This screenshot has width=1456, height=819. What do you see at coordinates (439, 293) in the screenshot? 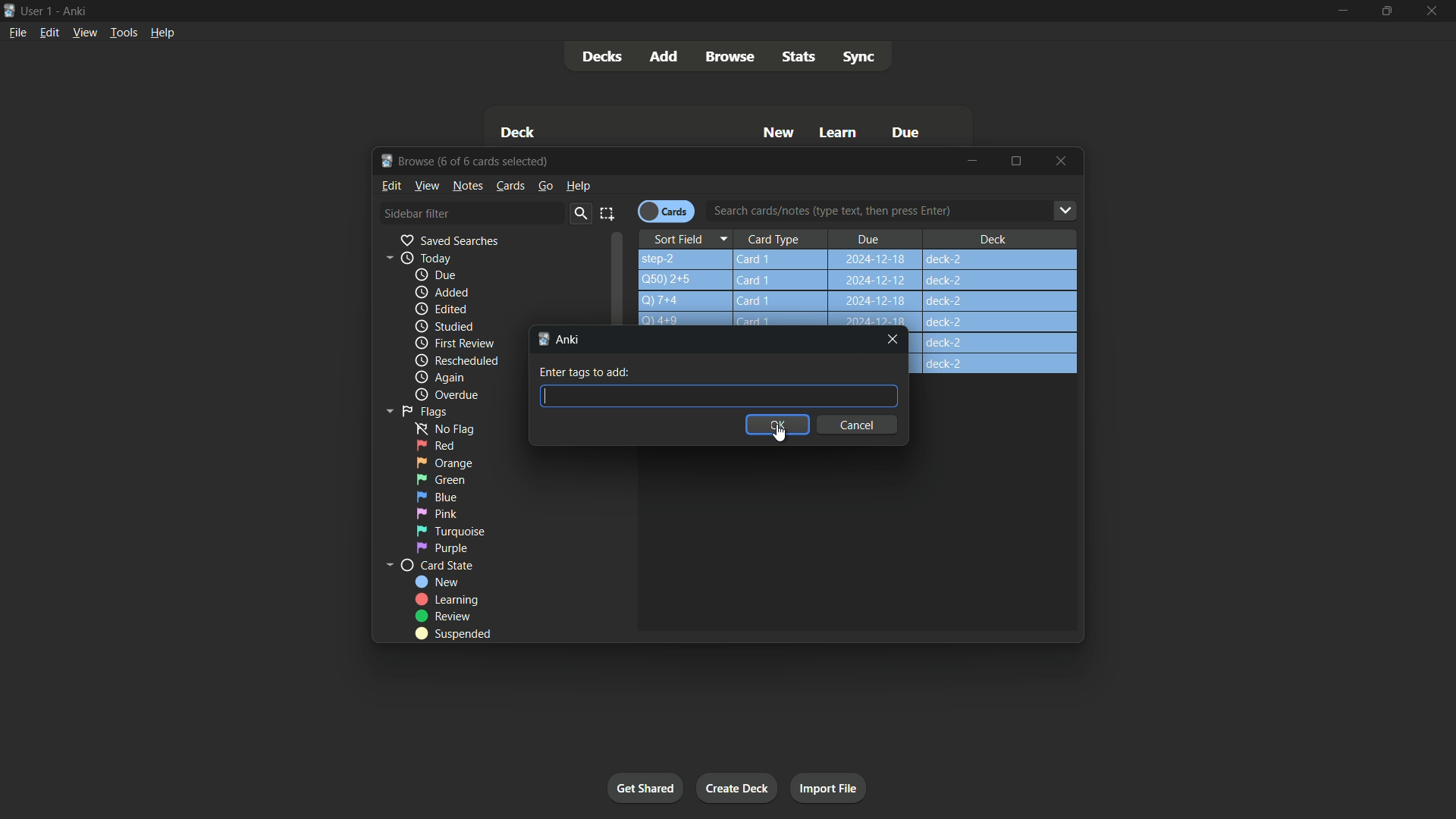
I see `added` at bounding box center [439, 293].